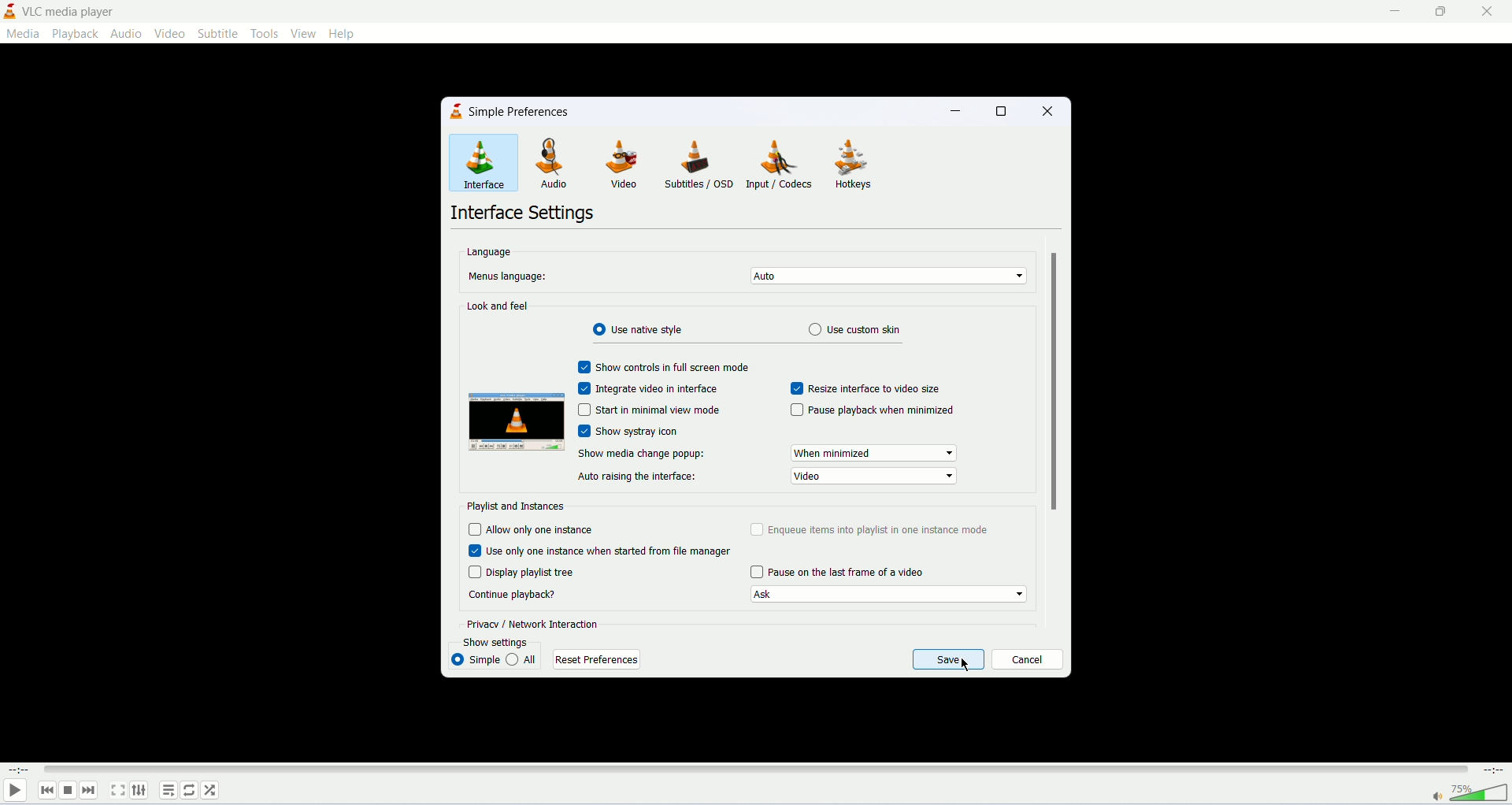 This screenshot has height=805, width=1512. What do you see at coordinates (521, 214) in the screenshot?
I see `interface settings` at bounding box center [521, 214].